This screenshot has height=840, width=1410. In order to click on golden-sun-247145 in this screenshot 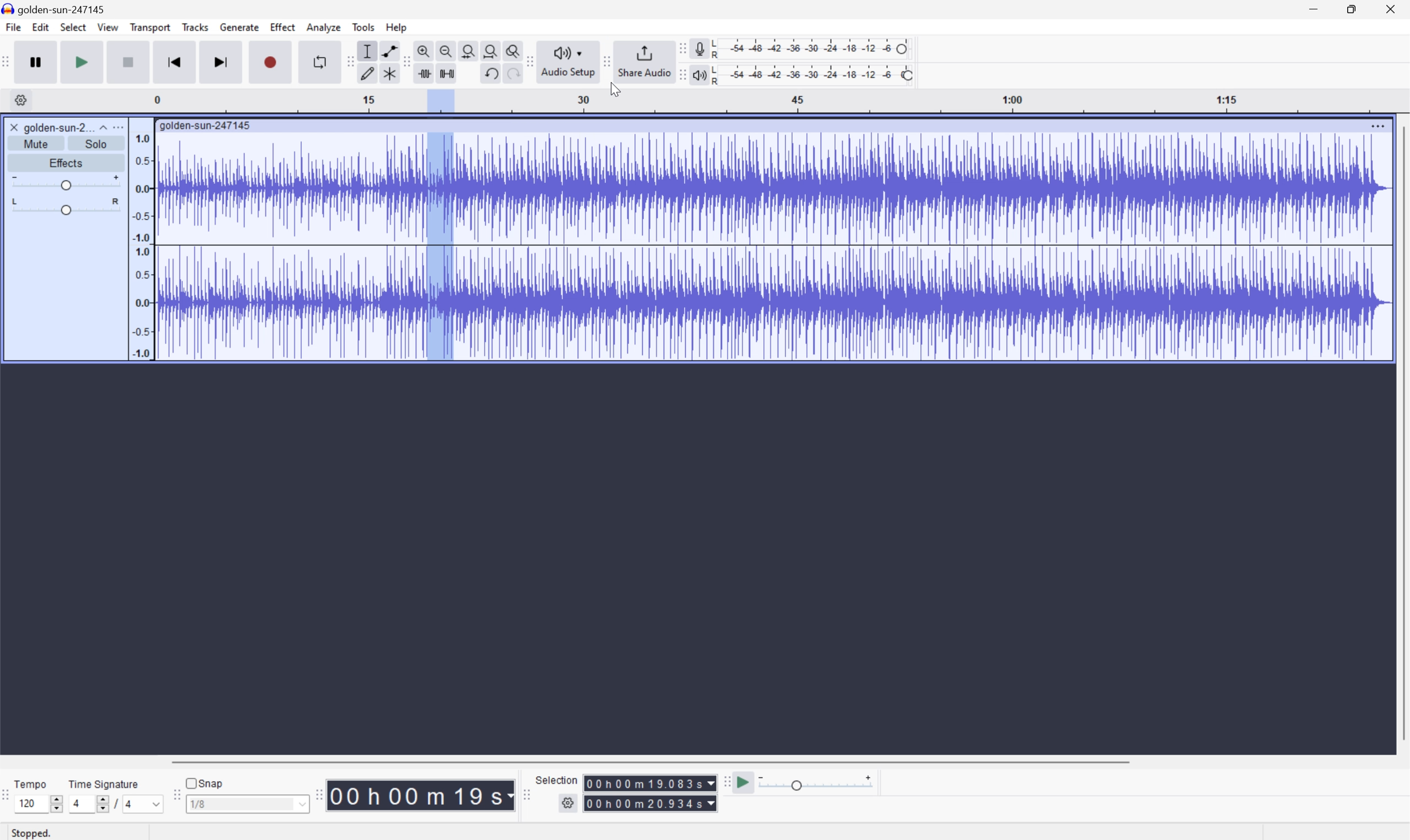, I will do `click(57, 8)`.